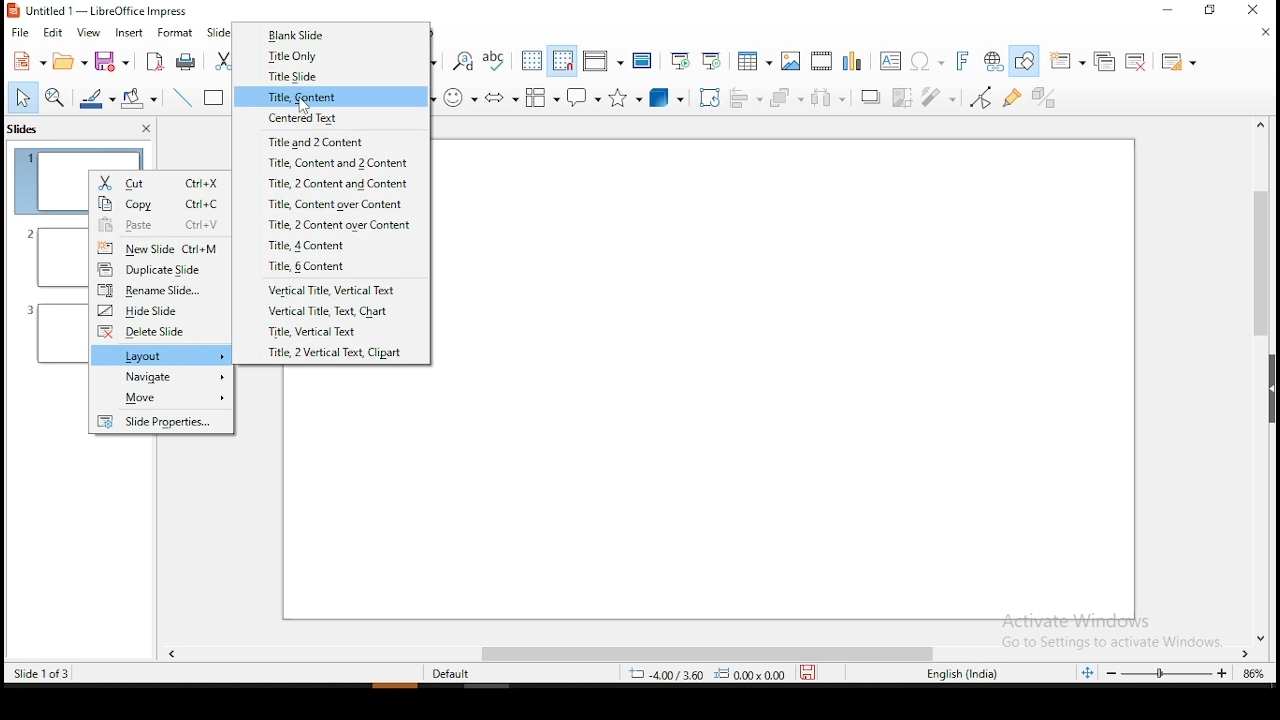  What do you see at coordinates (714, 62) in the screenshot?
I see `start from current slide` at bounding box center [714, 62].